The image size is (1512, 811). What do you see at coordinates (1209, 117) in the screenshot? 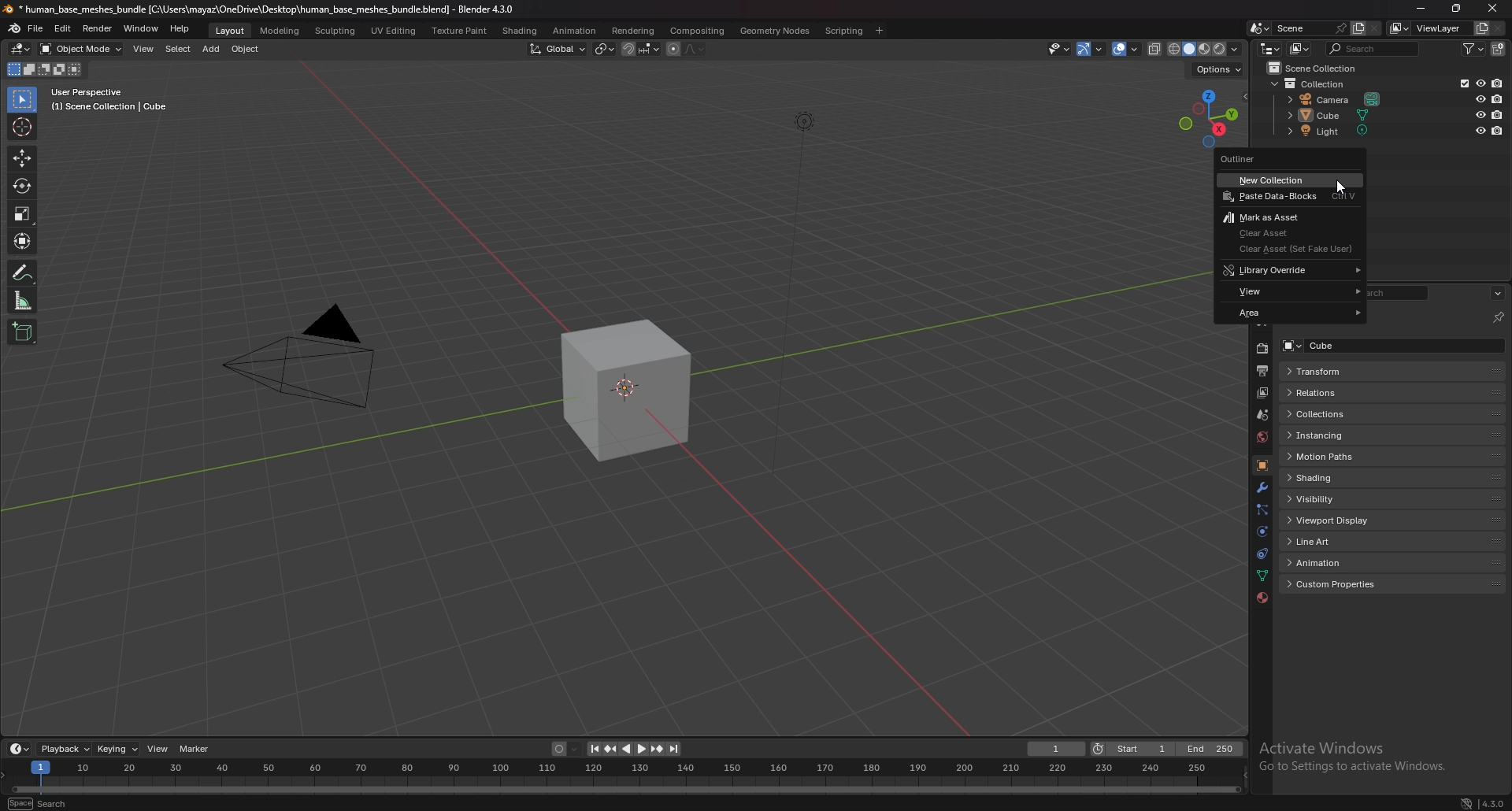
I see `use a preset viewport` at bounding box center [1209, 117].